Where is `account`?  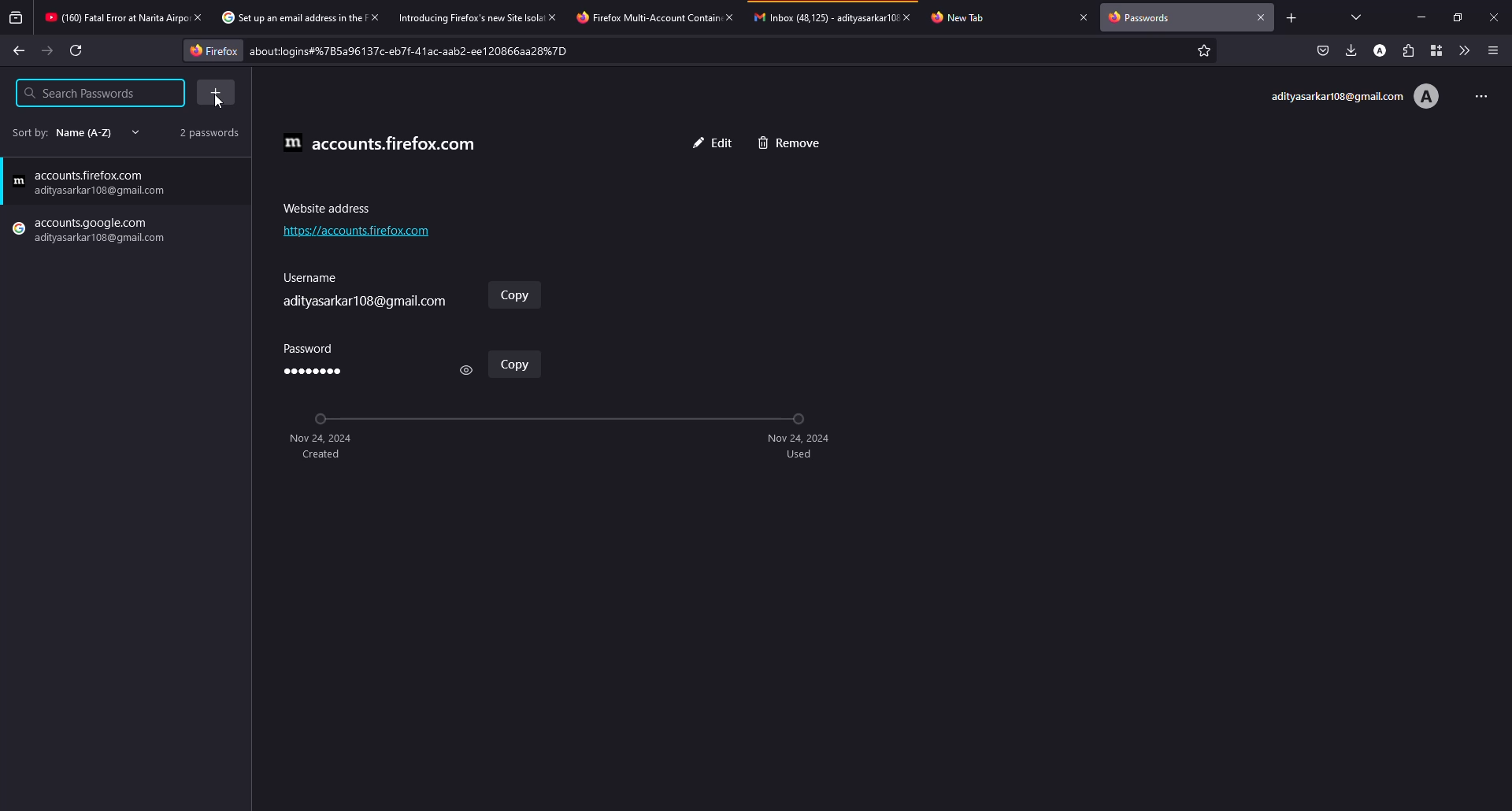
account is located at coordinates (1382, 50).